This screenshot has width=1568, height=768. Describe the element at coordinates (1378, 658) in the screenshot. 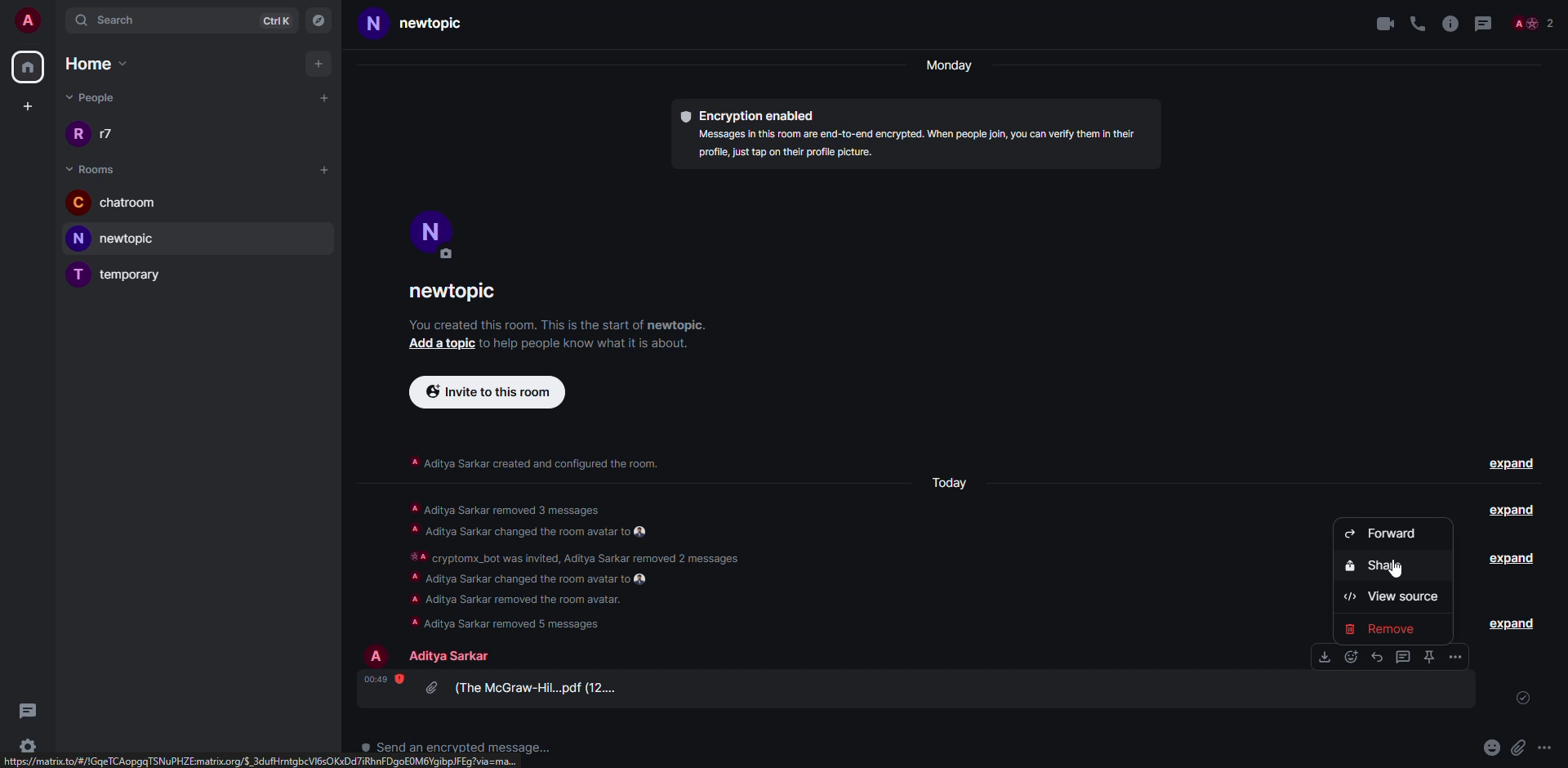

I see `reply` at that location.